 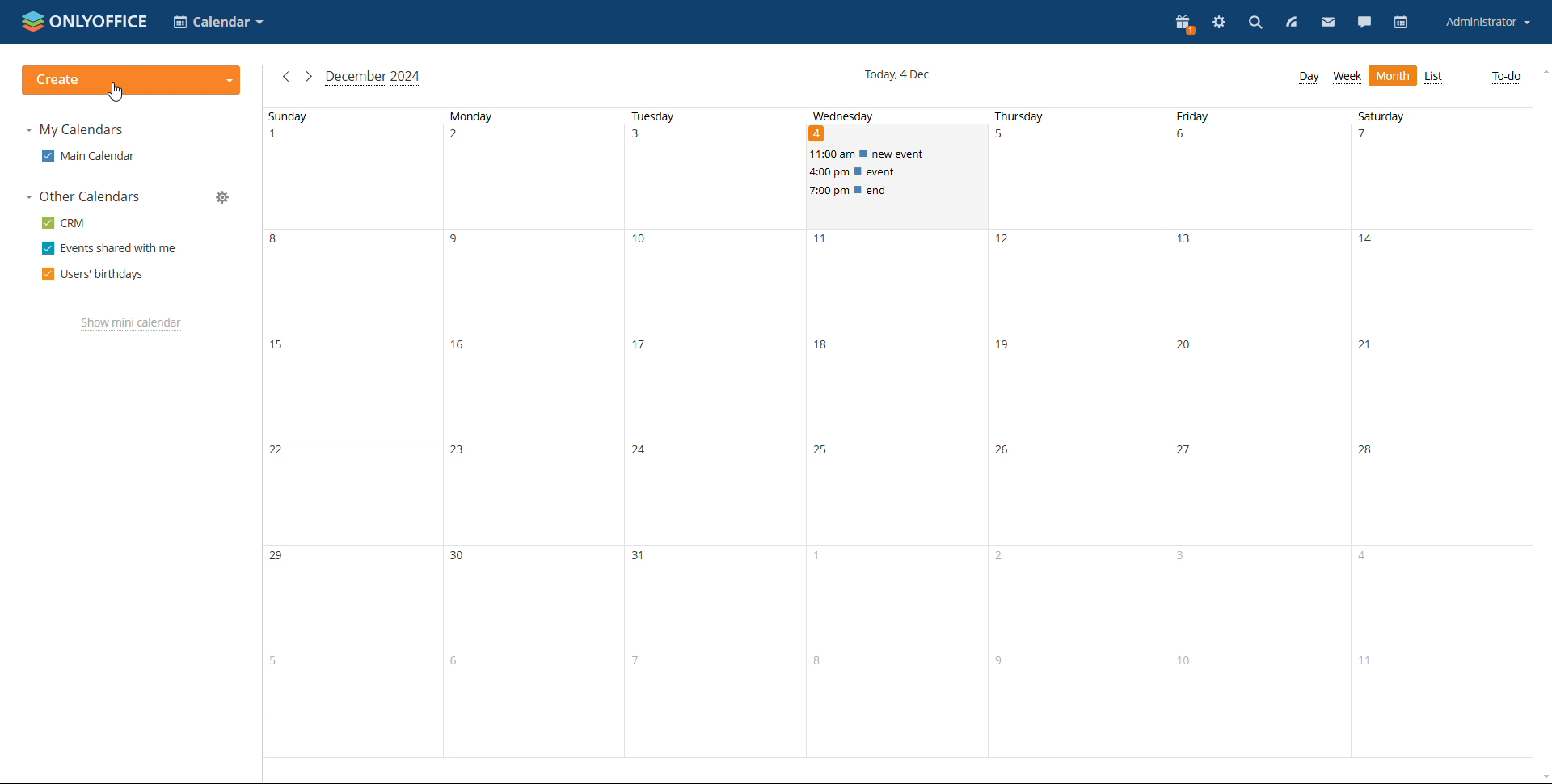 I want to click on users' birthdays, so click(x=93, y=275).